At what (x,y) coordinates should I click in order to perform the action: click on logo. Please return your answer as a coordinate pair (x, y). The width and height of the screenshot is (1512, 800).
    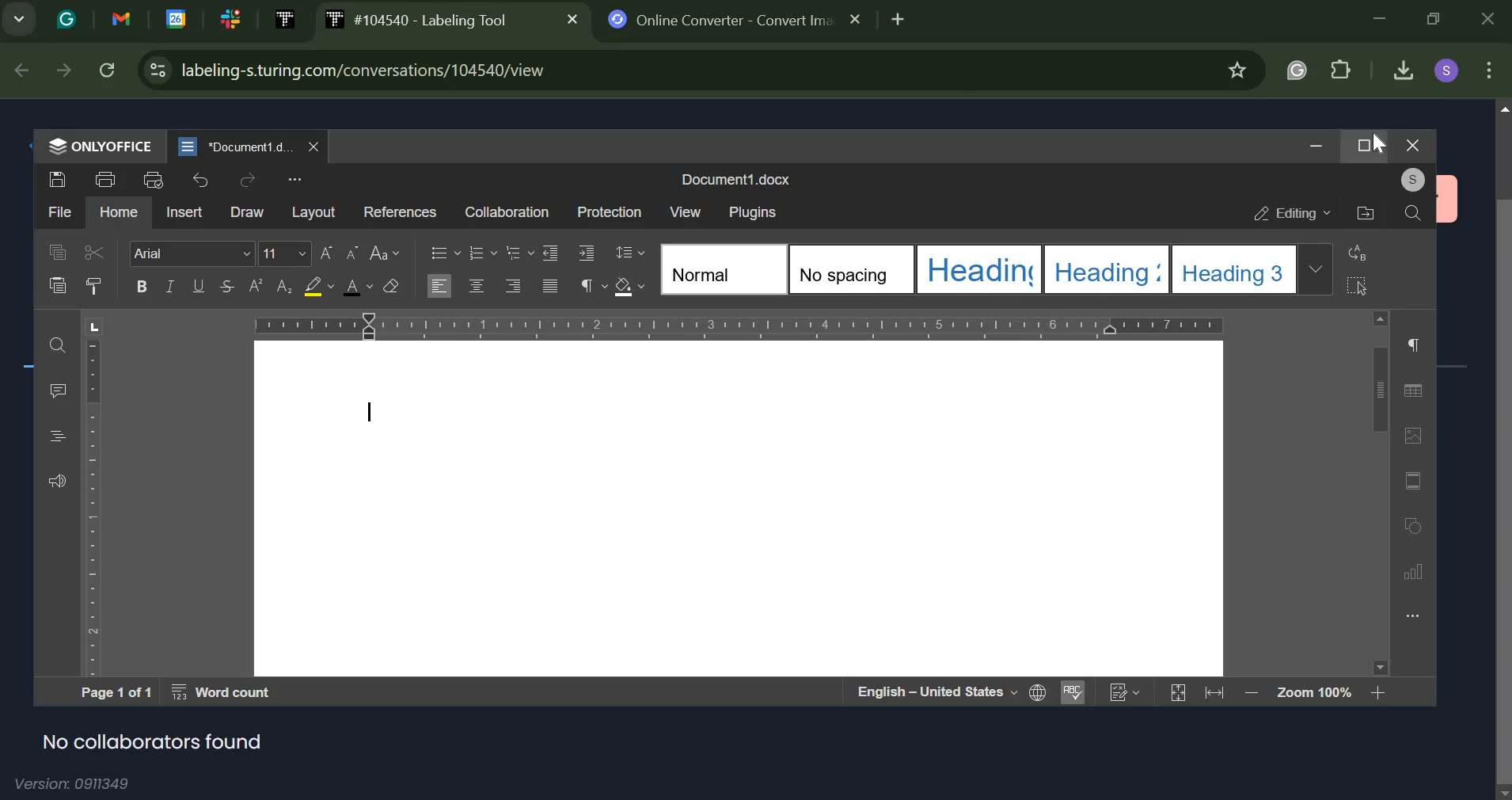
    Looking at the image, I should click on (121, 19).